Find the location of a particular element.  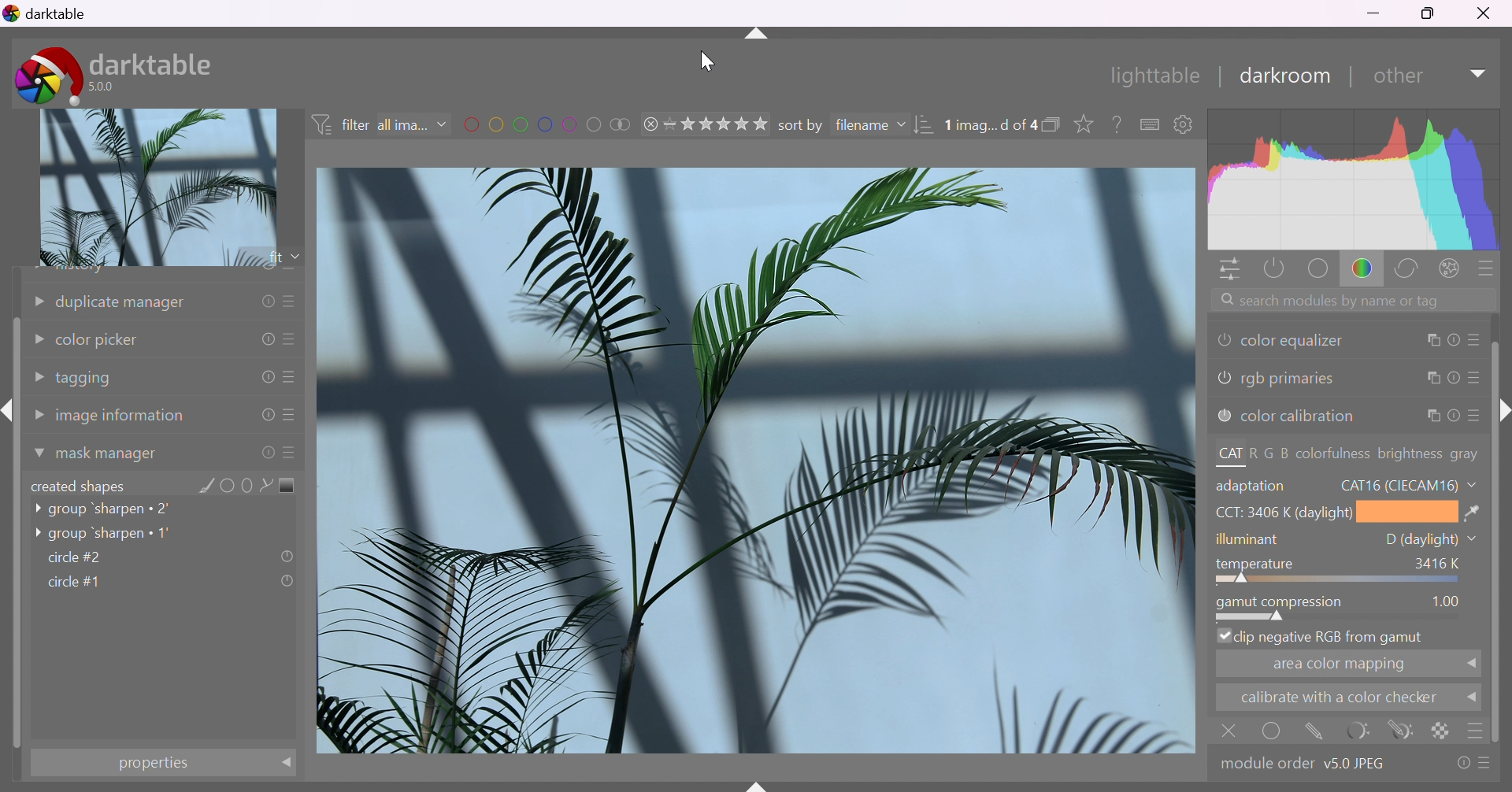

darkroom is located at coordinates (1284, 78).